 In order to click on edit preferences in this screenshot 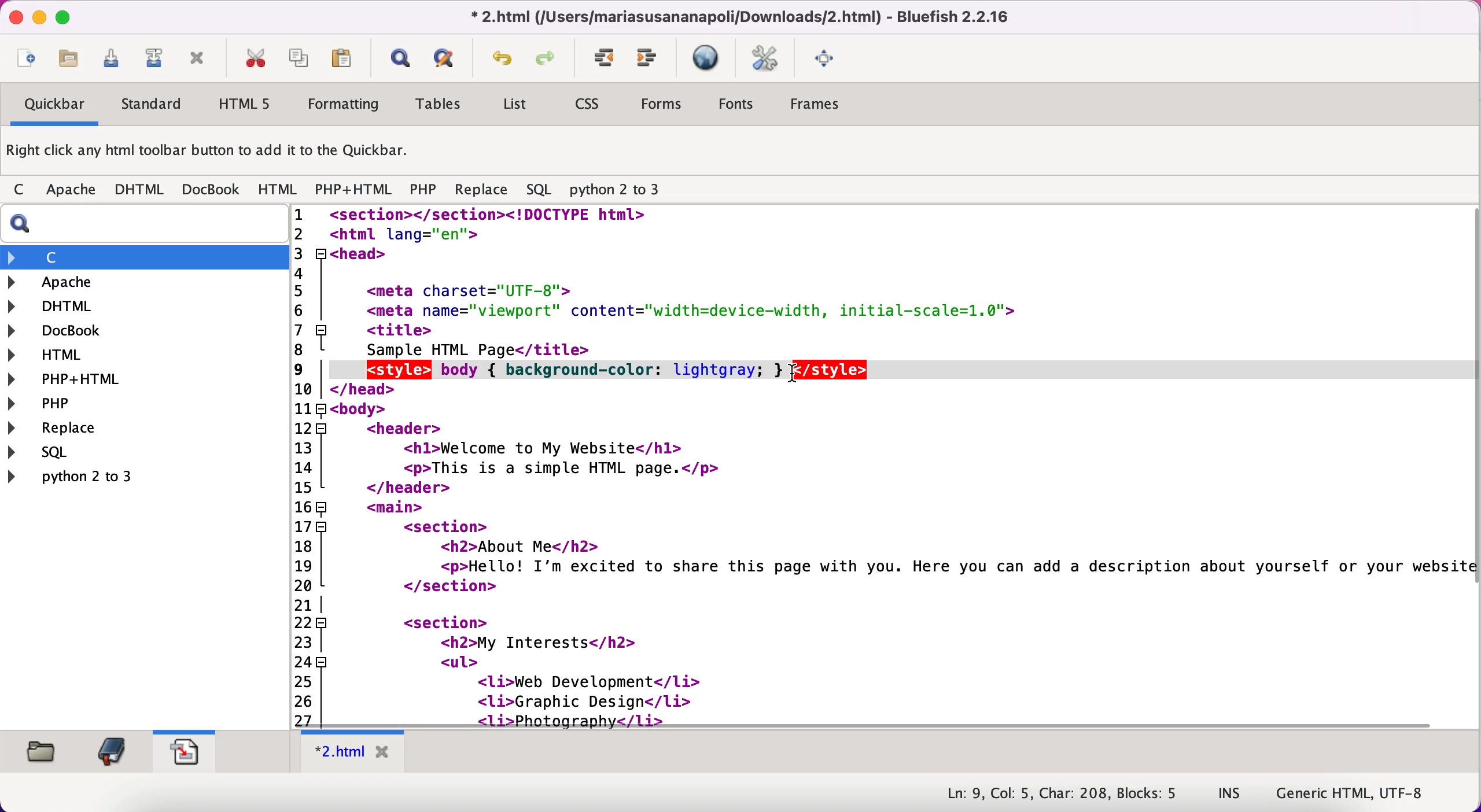, I will do `click(765, 60)`.